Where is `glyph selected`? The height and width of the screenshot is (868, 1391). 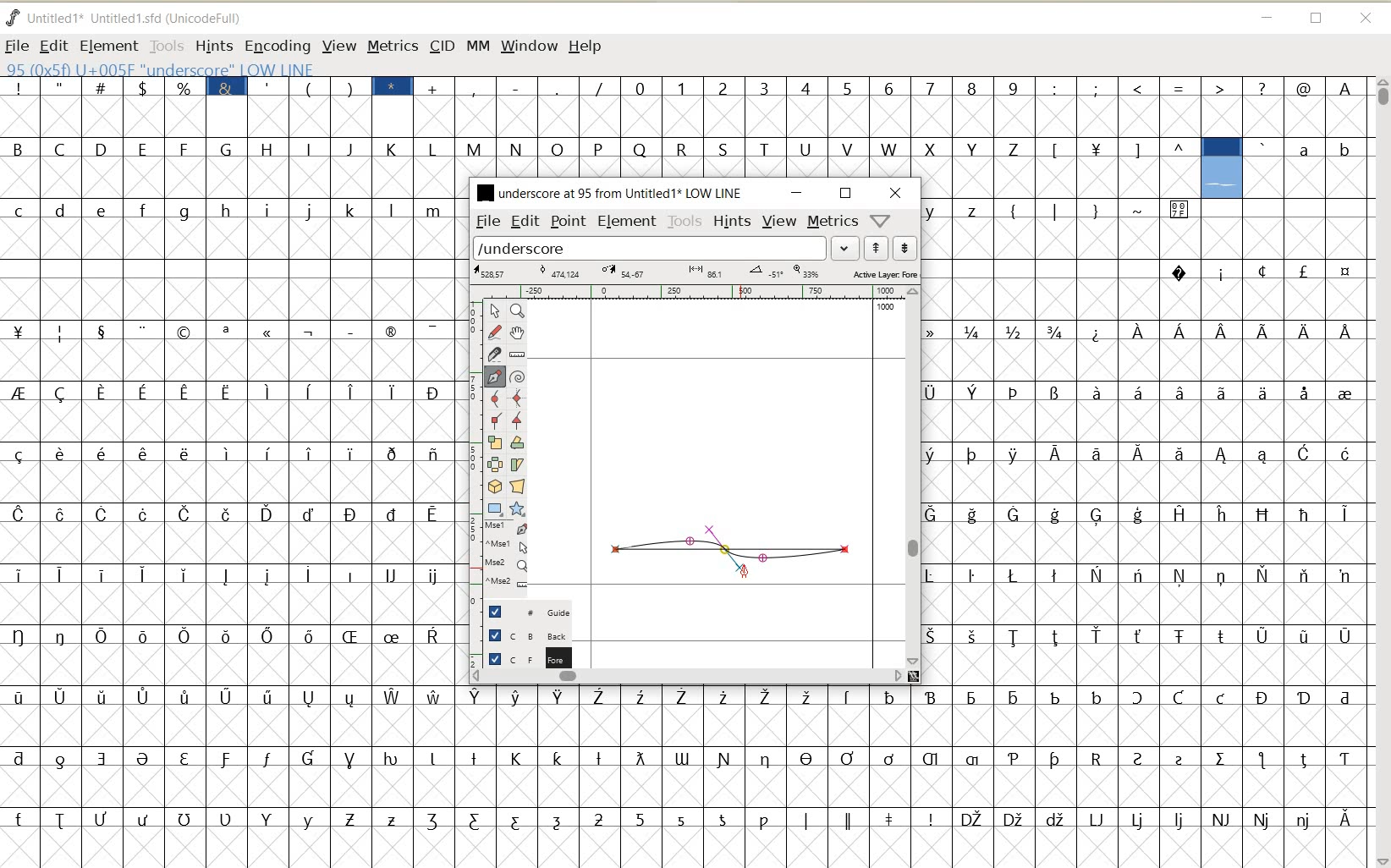 glyph selected is located at coordinates (1222, 168).